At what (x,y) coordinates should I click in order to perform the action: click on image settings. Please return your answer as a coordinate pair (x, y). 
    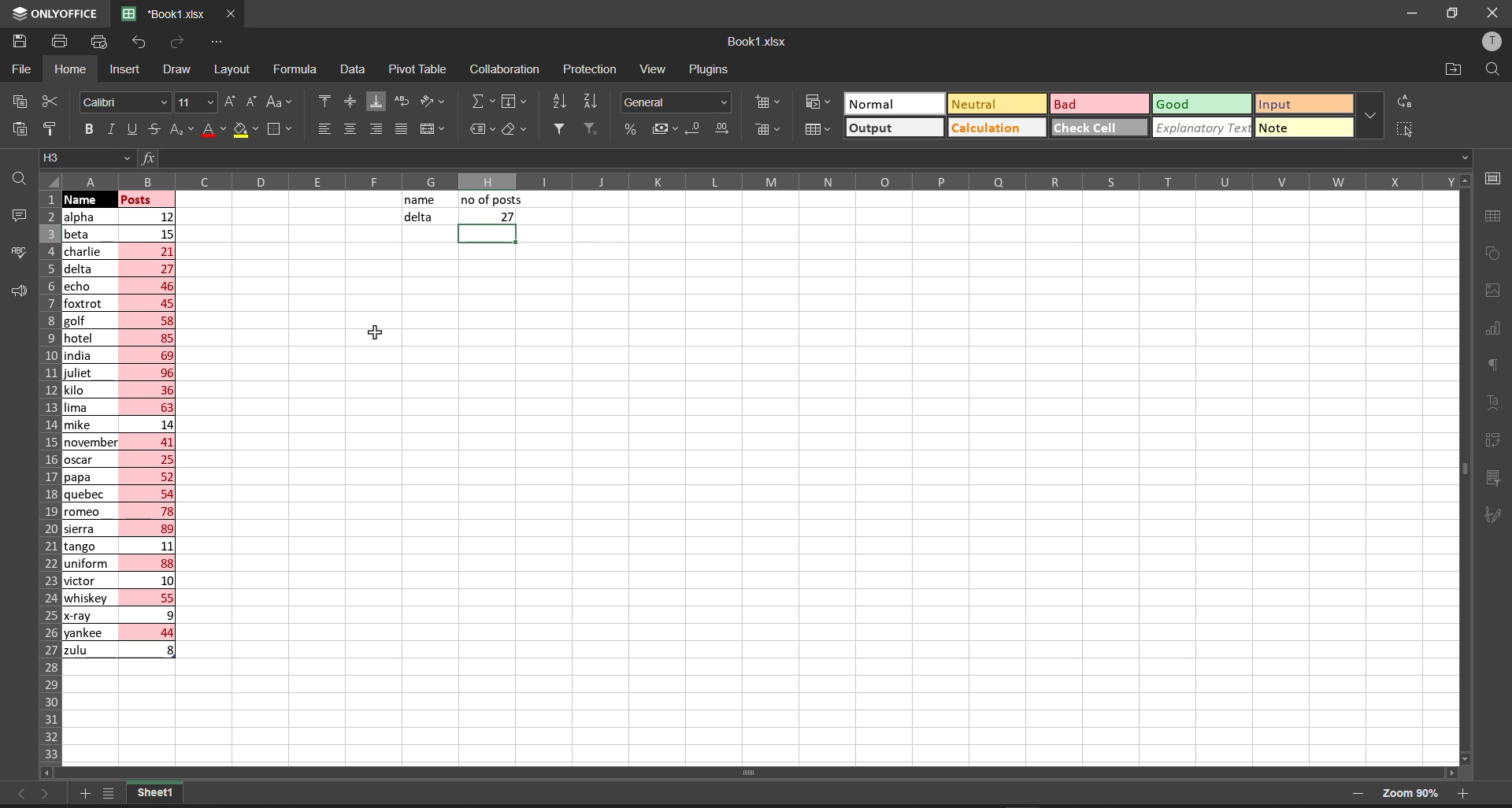
    Looking at the image, I should click on (1494, 294).